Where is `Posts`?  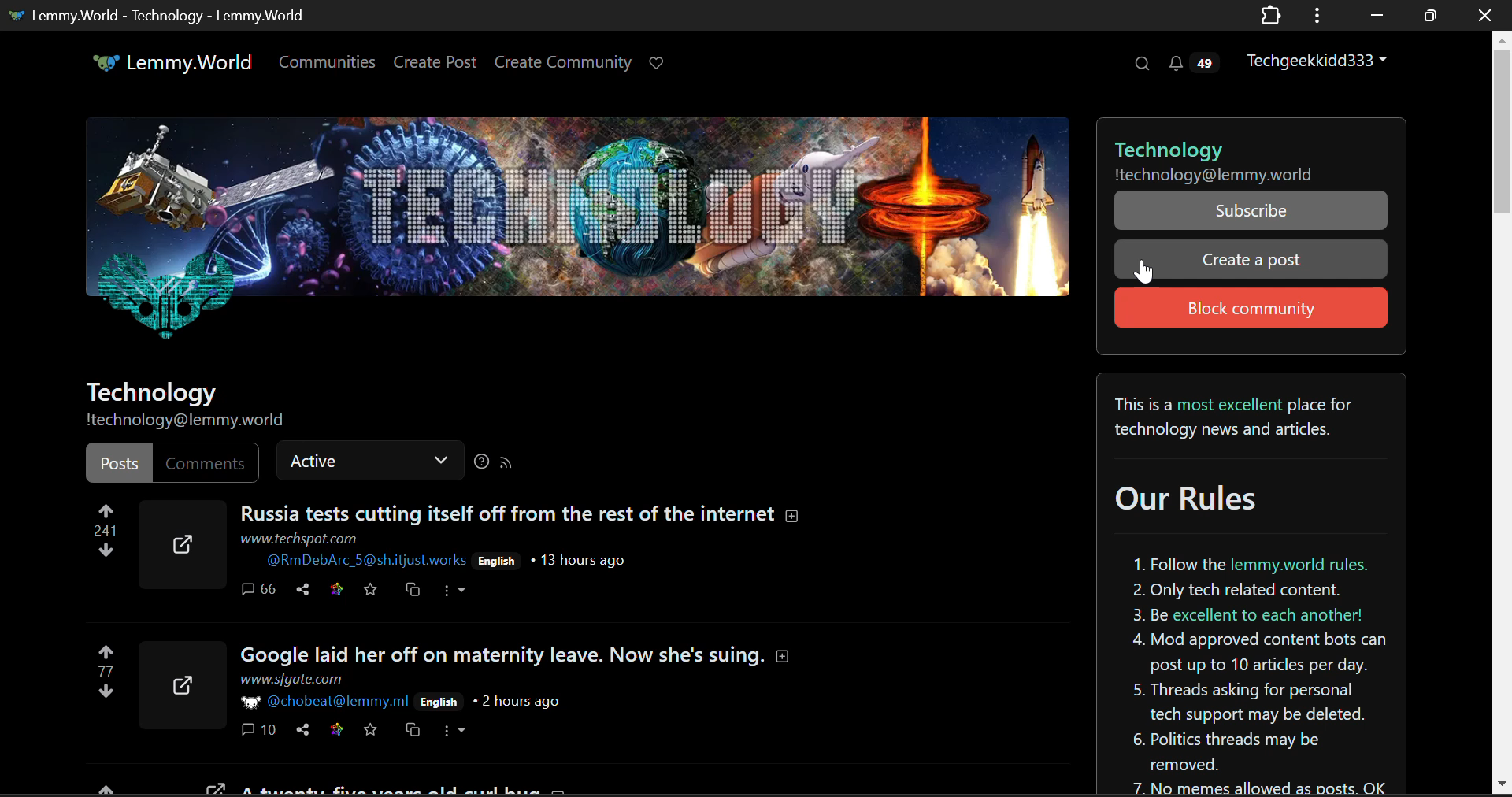
Posts is located at coordinates (118, 463).